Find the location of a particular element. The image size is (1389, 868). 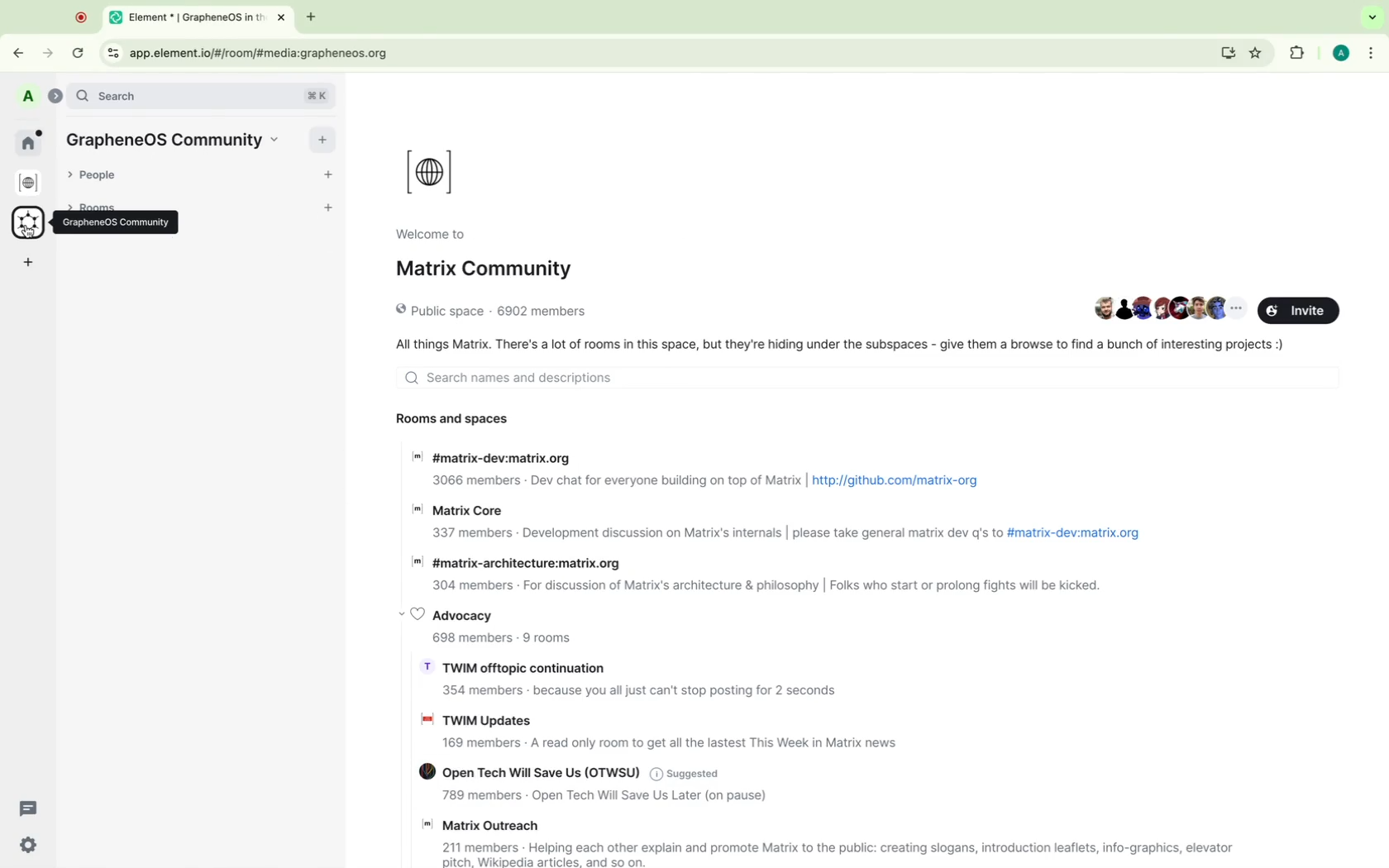

threads is located at coordinates (30, 807).